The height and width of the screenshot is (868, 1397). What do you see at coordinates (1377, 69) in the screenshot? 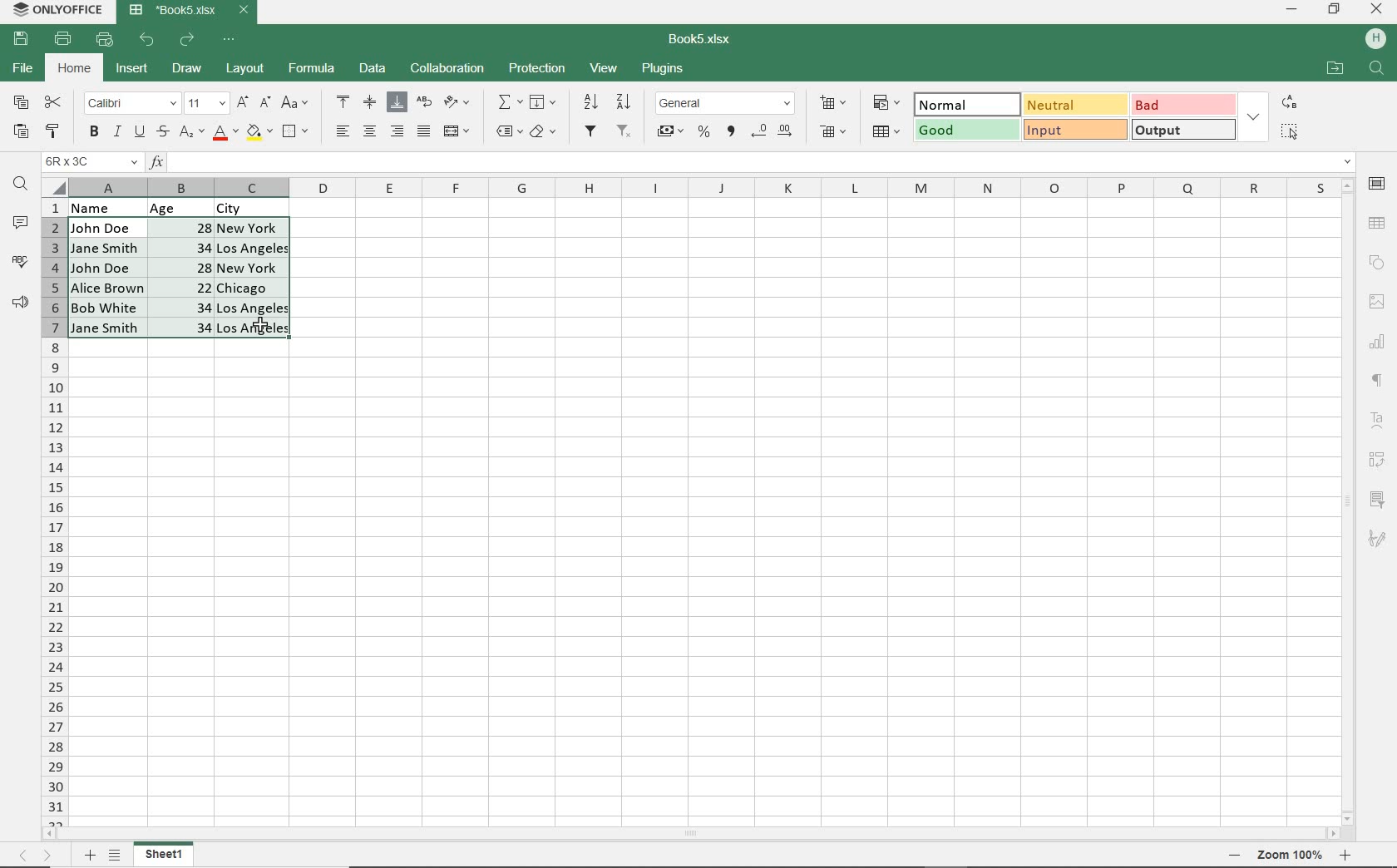
I see `Search` at bounding box center [1377, 69].